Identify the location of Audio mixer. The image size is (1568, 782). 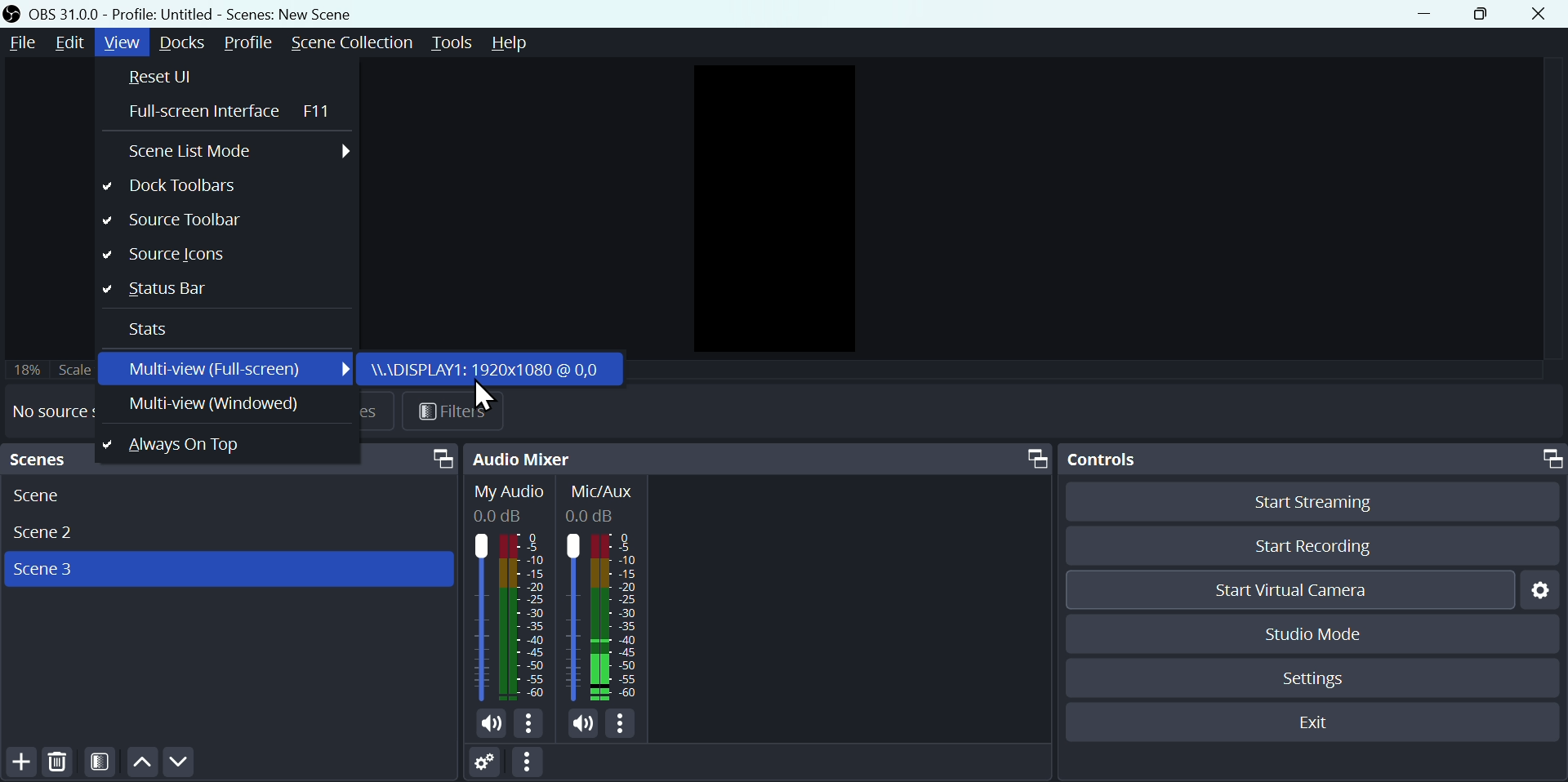
(759, 459).